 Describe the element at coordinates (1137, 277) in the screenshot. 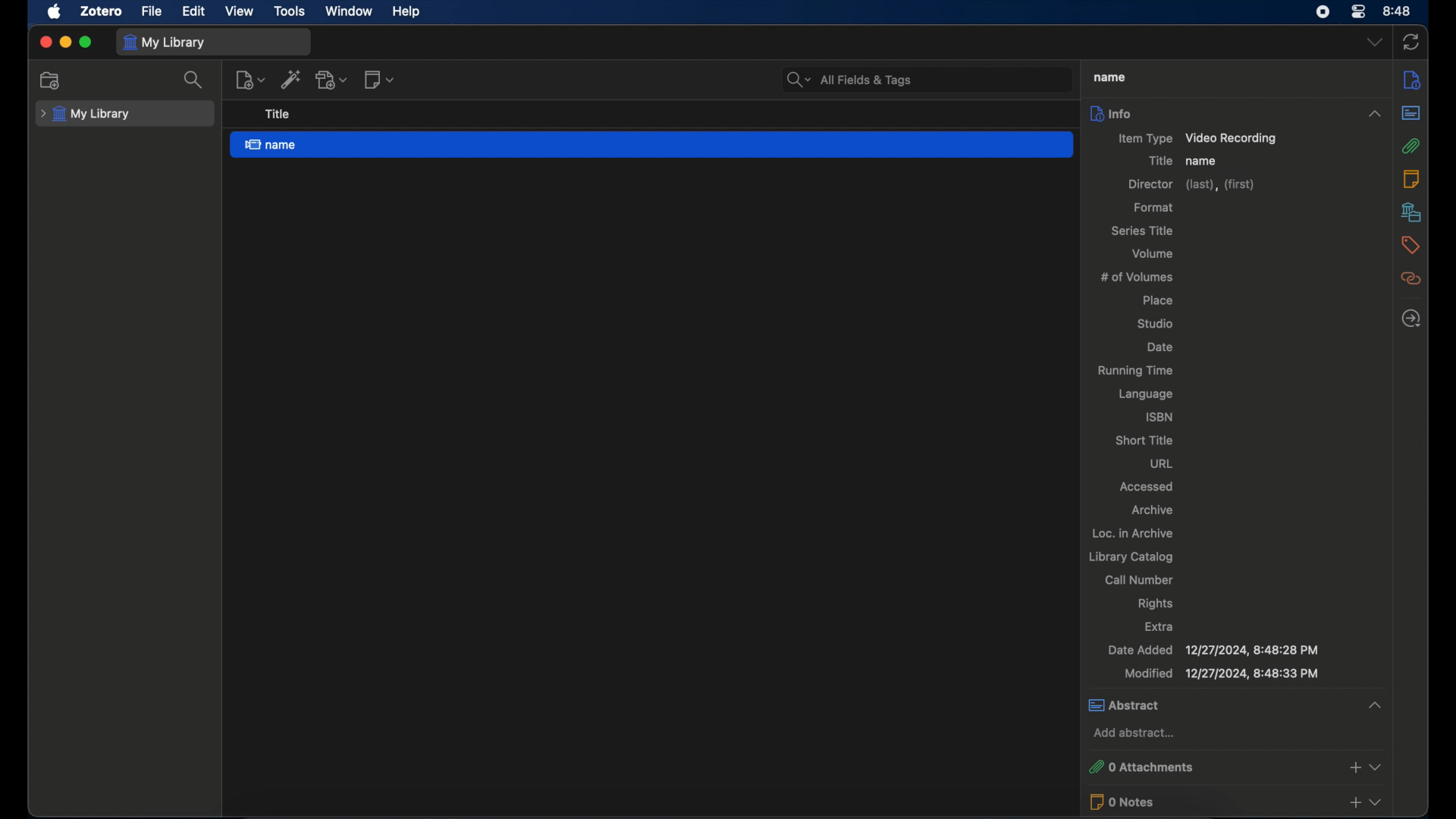

I see `no of volumes` at that location.